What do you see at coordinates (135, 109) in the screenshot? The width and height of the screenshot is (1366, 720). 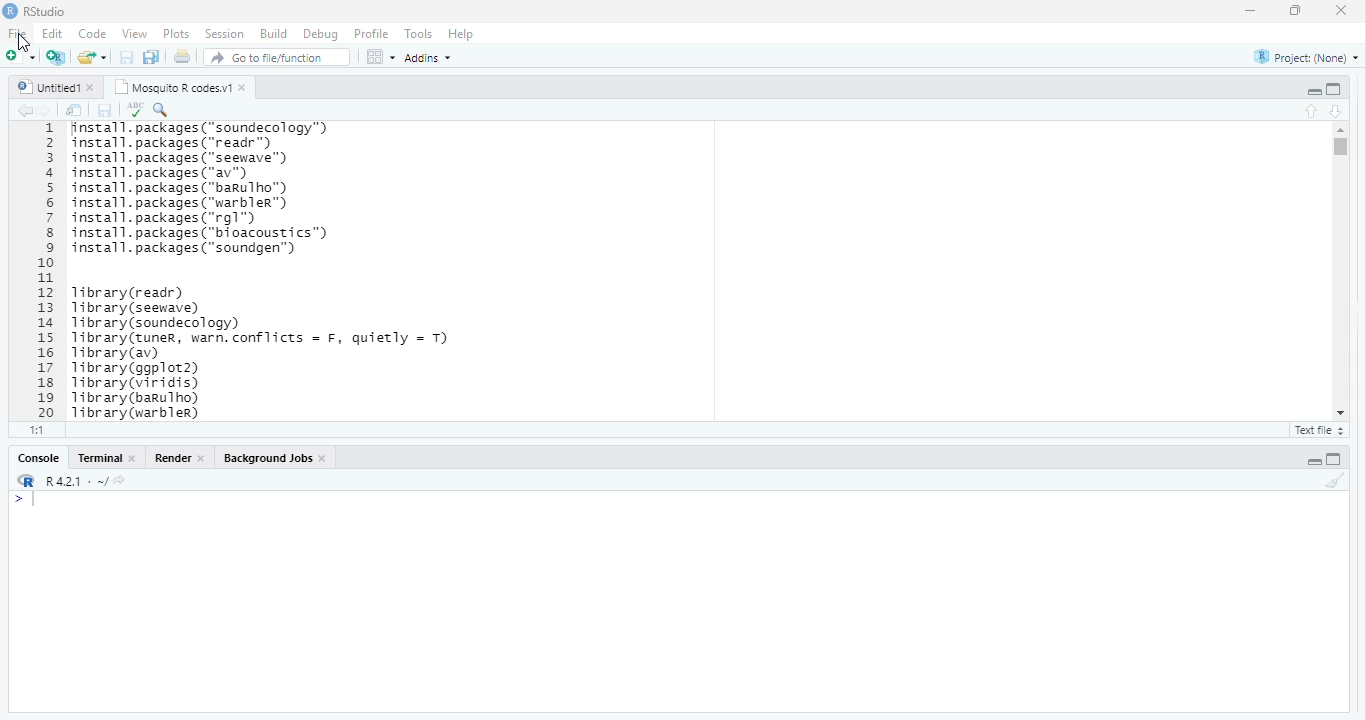 I see `correct spells` at bounding box center [135, 109].